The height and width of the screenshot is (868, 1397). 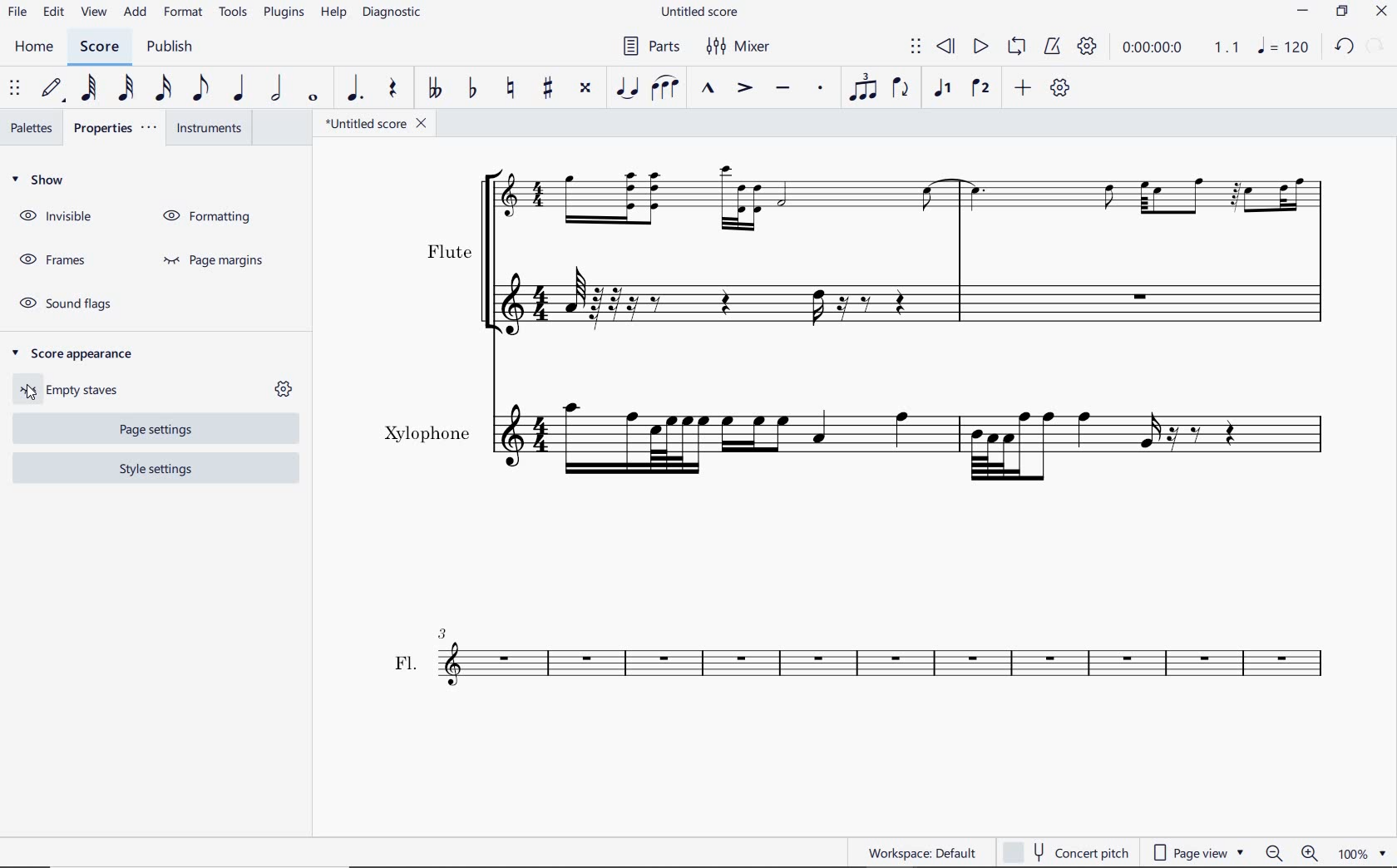 What do you see at coordinates (861, 442) in the screenshot?
I see `Xylophone` at bounding box center [861, 442].